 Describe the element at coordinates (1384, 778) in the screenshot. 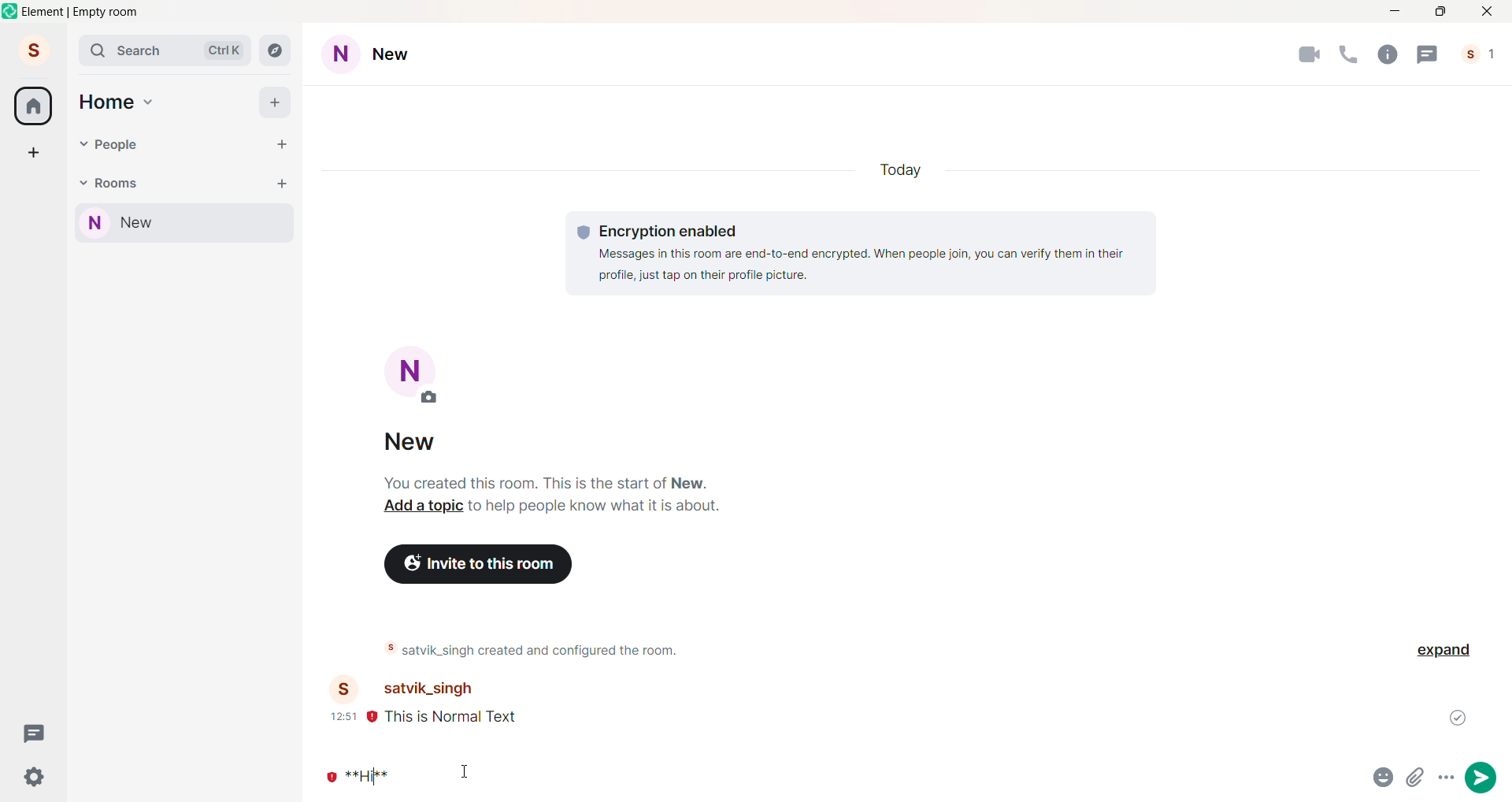

I see `emojis` at that location.